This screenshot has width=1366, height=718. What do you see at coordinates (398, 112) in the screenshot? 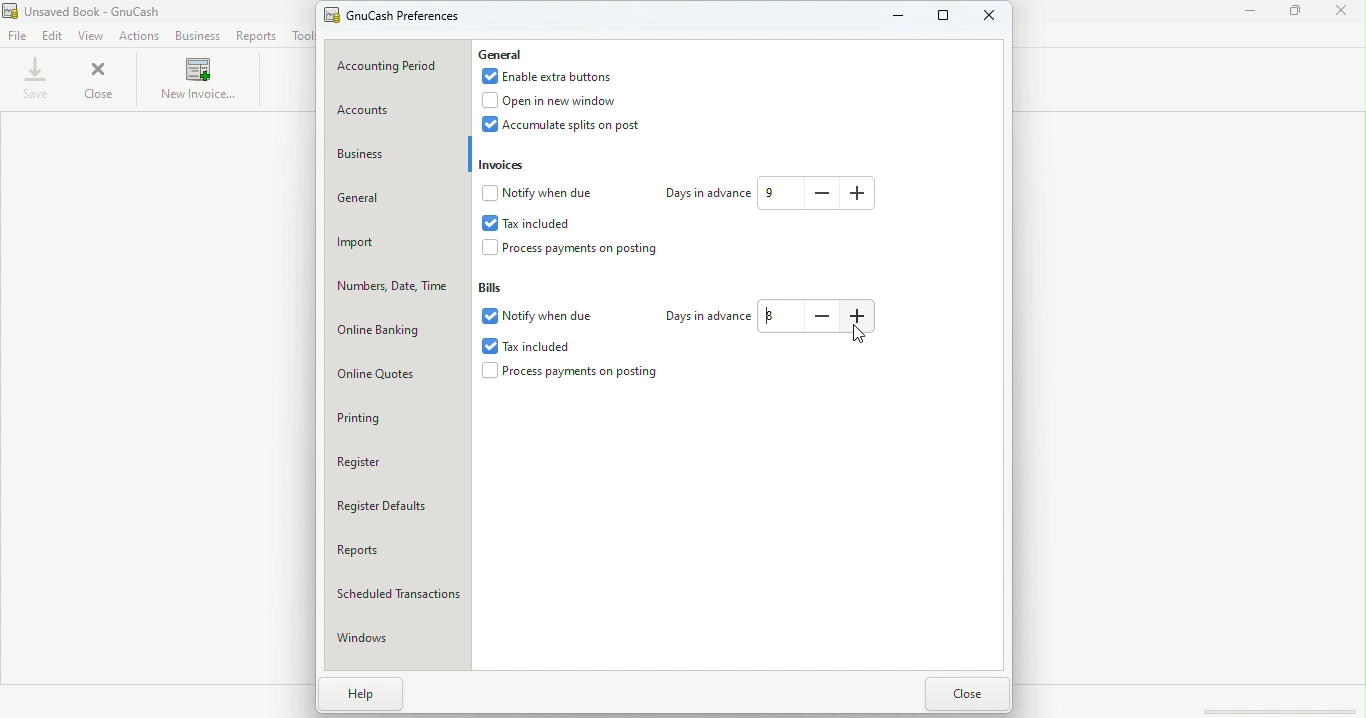
I see `Accounts` at bounding box center [398, 112].